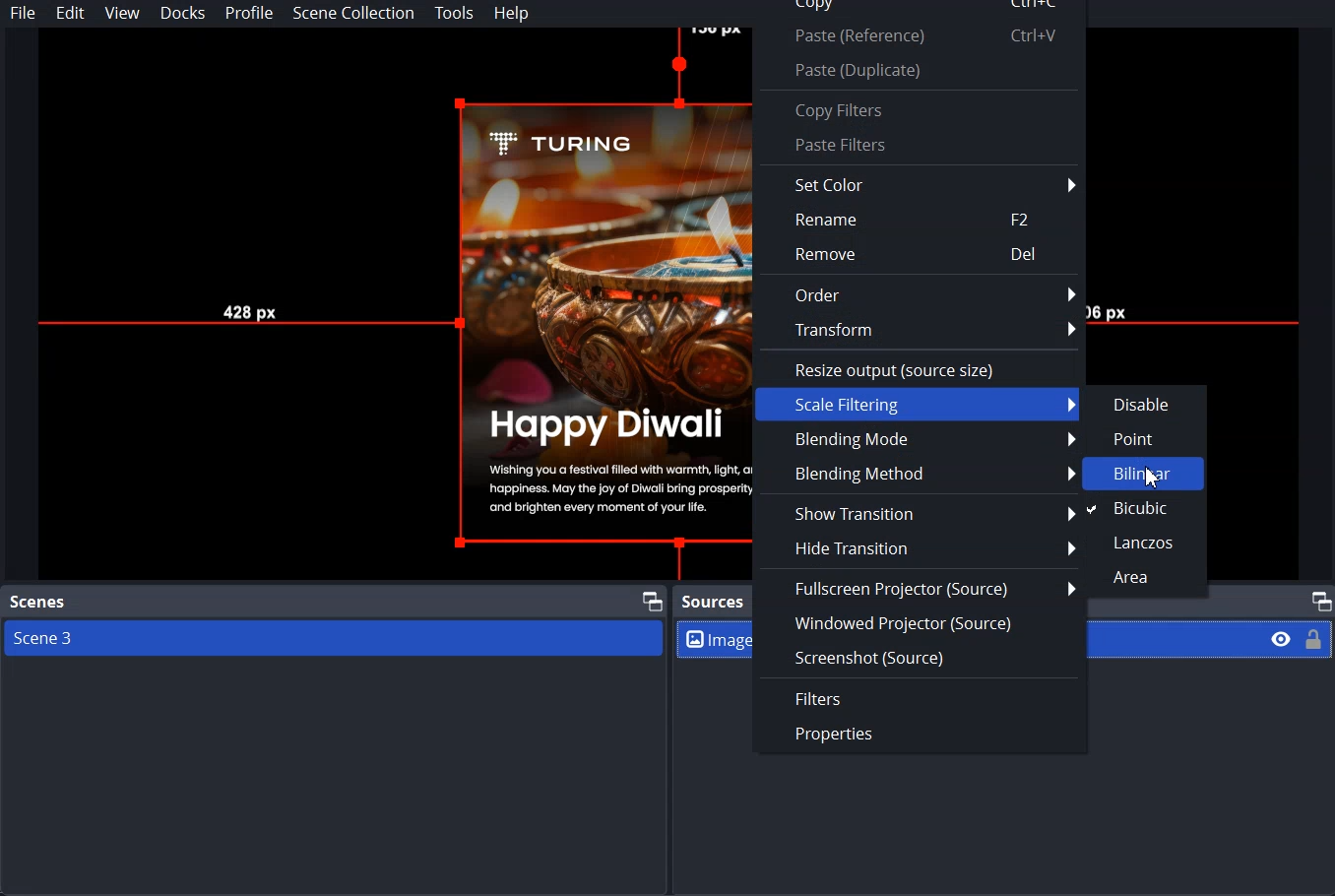  Describe the element at coordinates (916, 404) in the screenshot. I see `Scale filtering` at that location.